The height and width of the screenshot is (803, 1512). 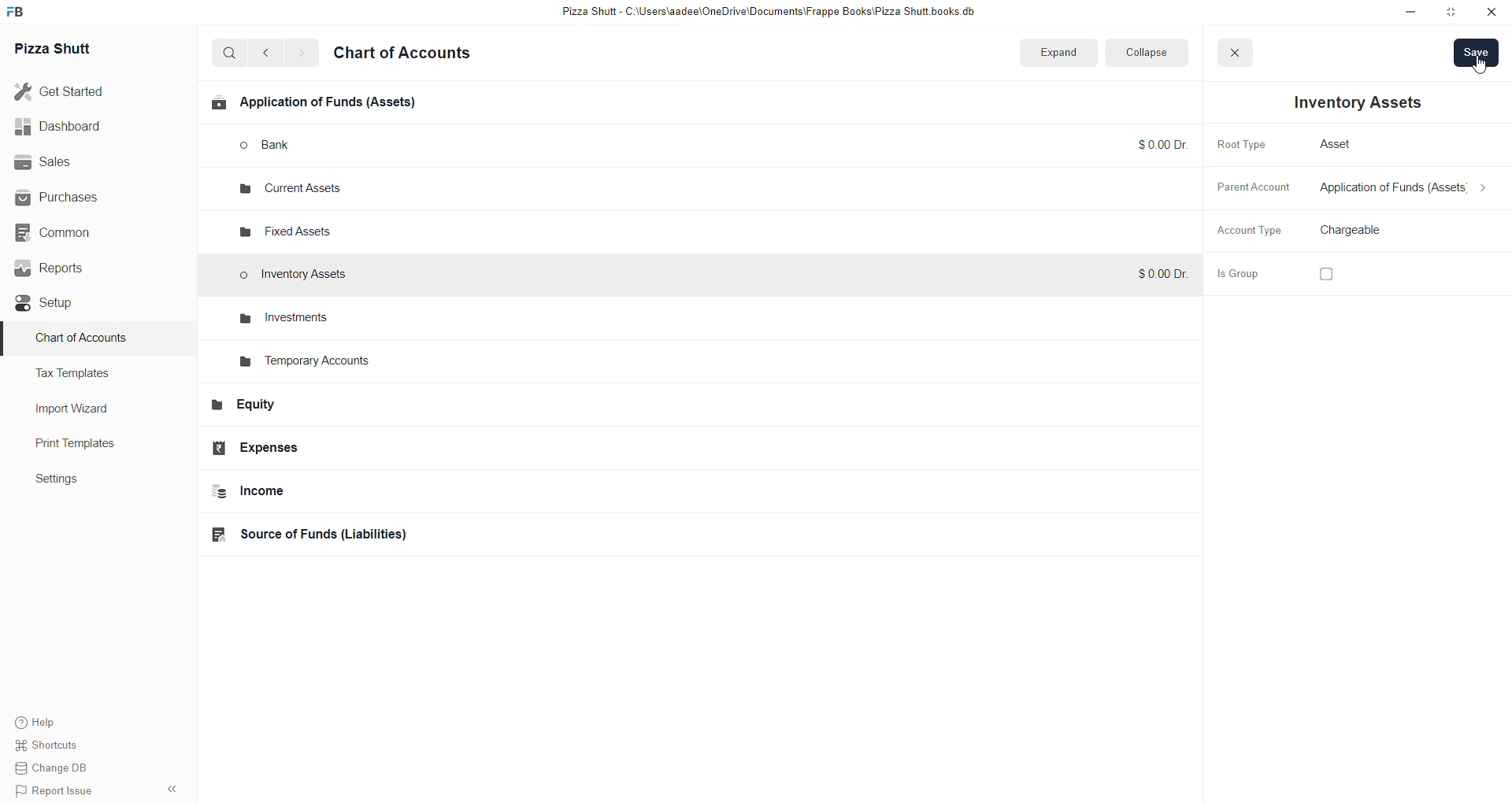 I want to click on collapse , so click(x=1143, y=52).